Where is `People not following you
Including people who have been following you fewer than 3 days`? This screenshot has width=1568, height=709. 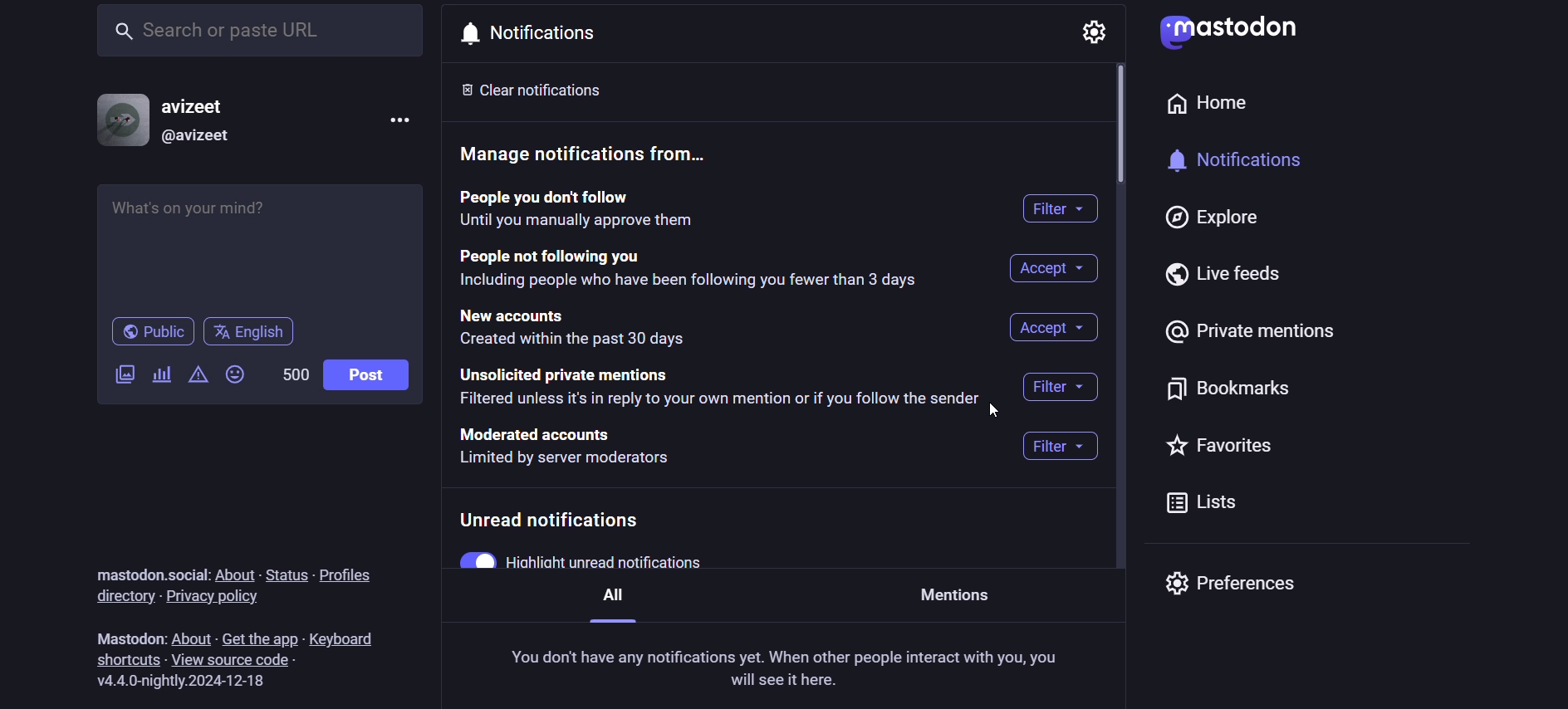
People not following you
Including people who have been following you fewer than 3 days is located at coordinates (685, 270).